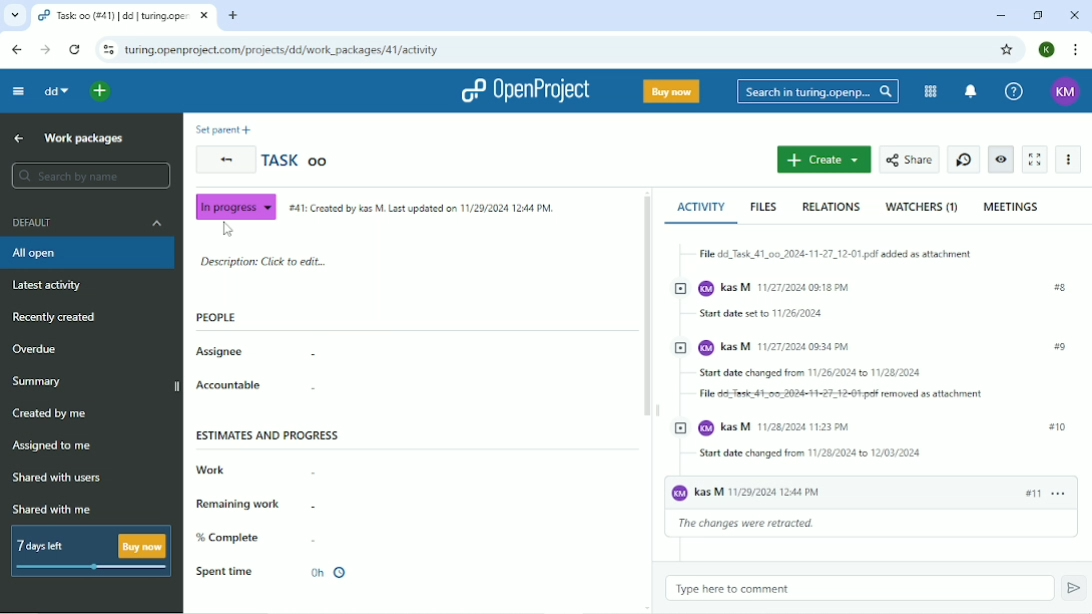 This screenshot has height=614, width=1092. I want to click on Accountable, so click(229, 386).